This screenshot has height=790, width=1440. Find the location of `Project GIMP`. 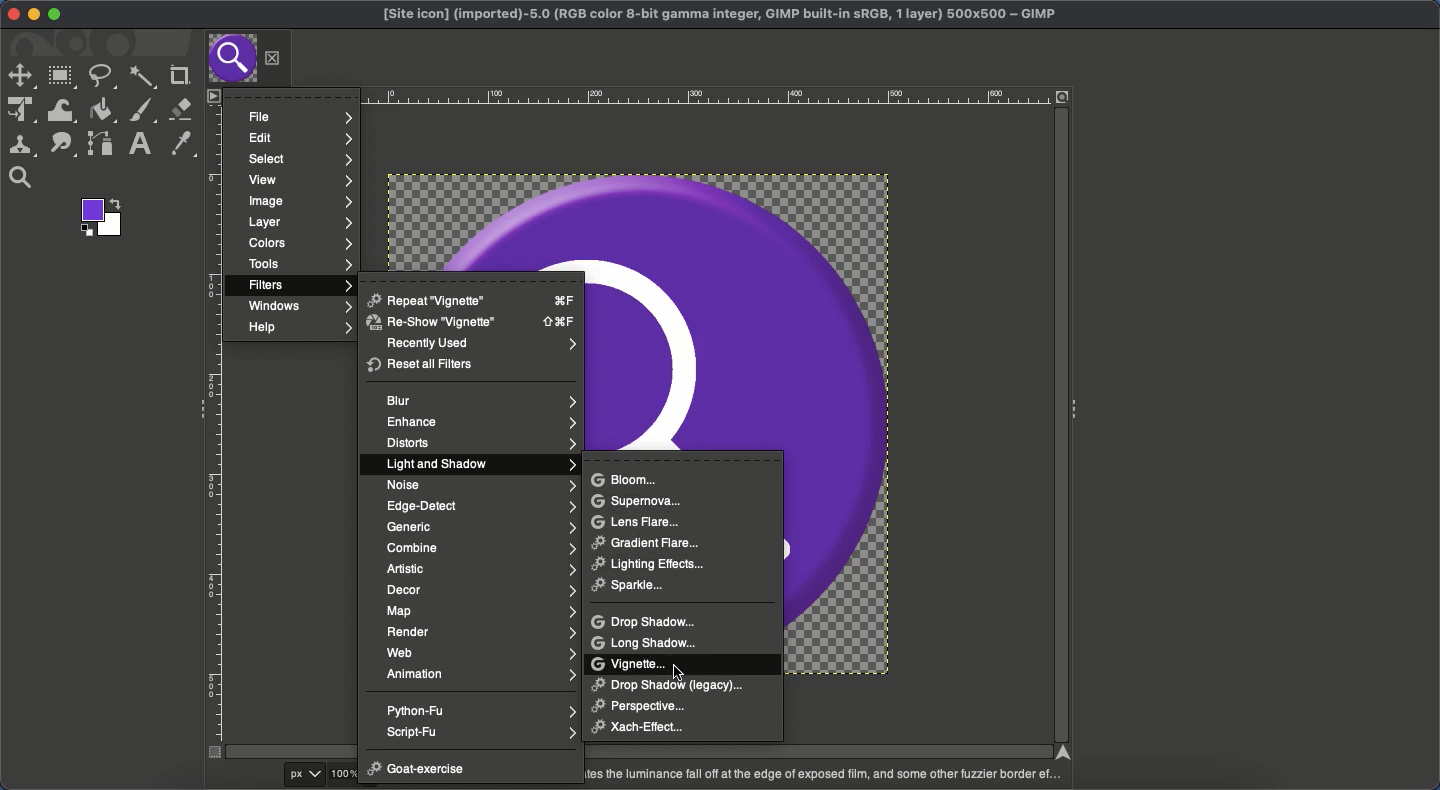

Project GIMP is located at coordinates (720, 15).